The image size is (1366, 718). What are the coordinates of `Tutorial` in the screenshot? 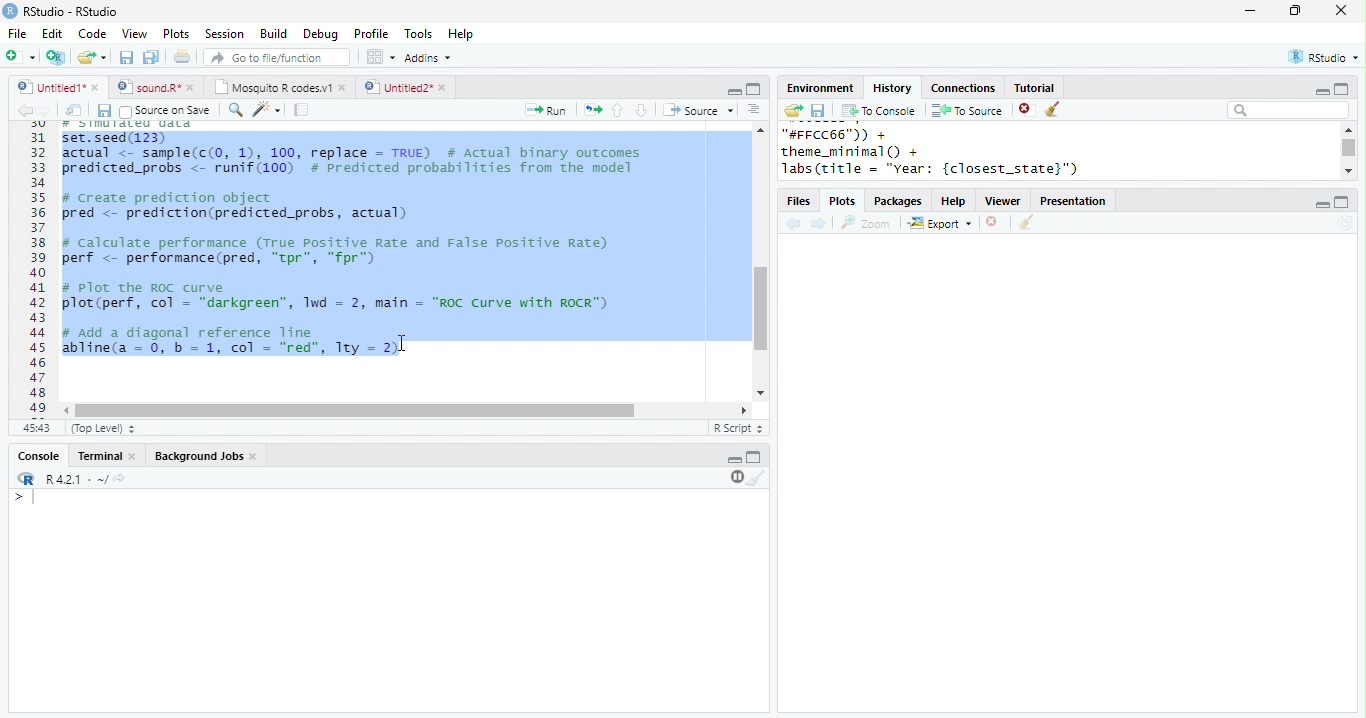 It's located at (1033, 87).